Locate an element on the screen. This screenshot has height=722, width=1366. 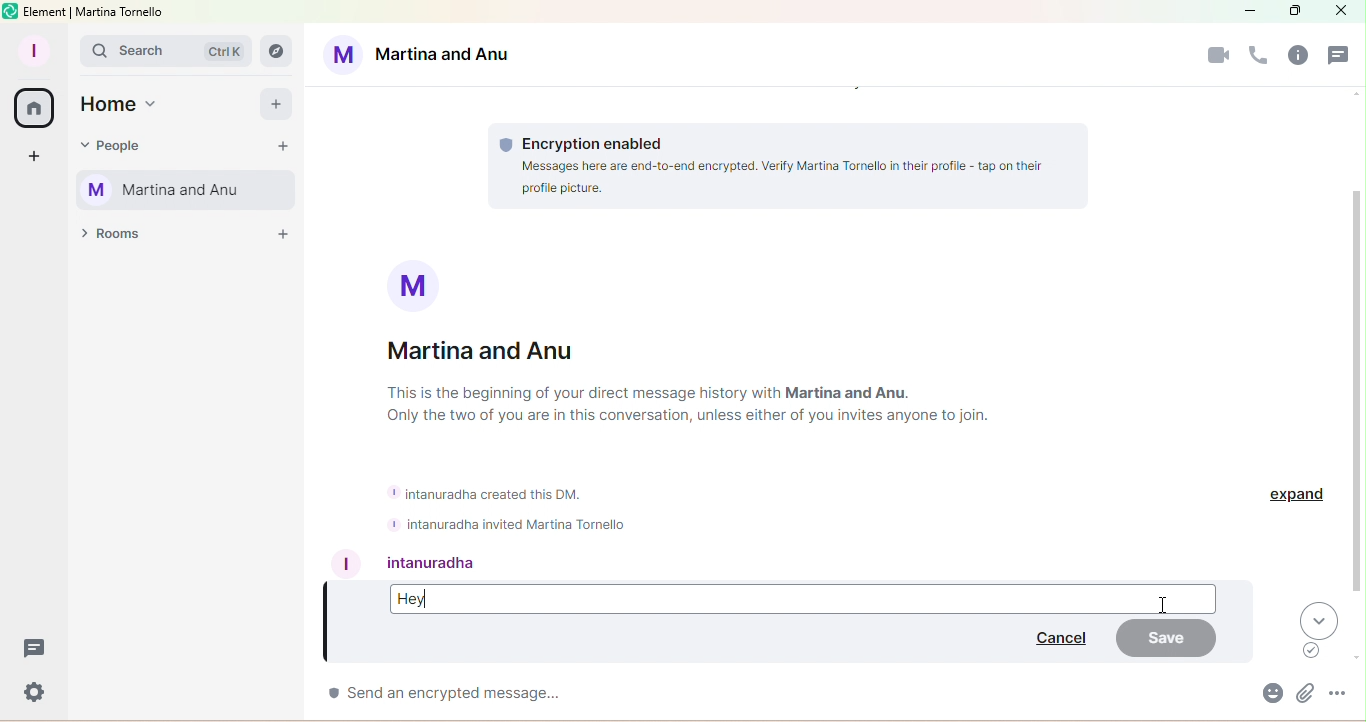
Write message is located at coordinates (769, 695).